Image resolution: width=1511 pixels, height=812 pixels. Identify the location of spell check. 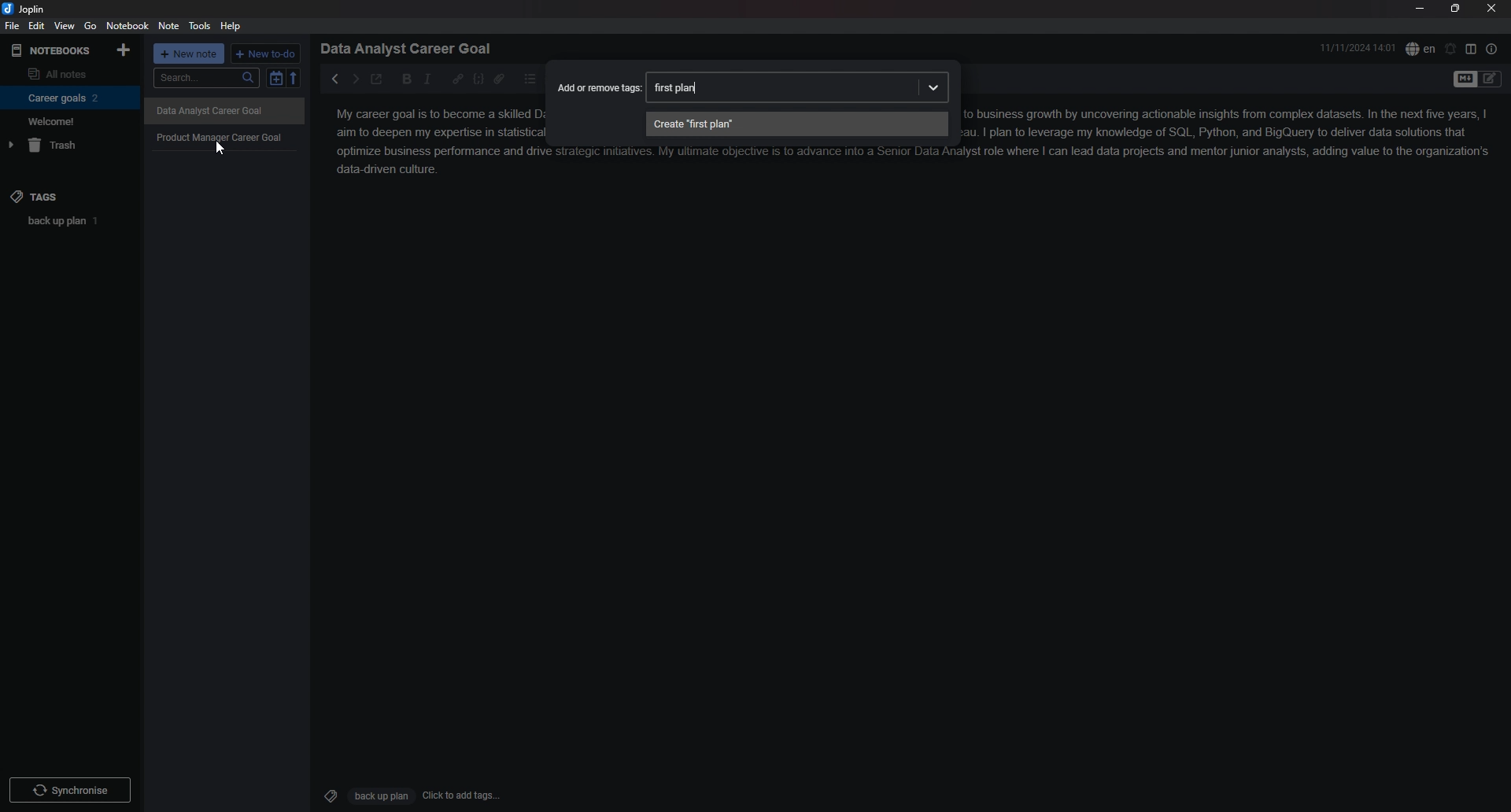
(1420, 49).